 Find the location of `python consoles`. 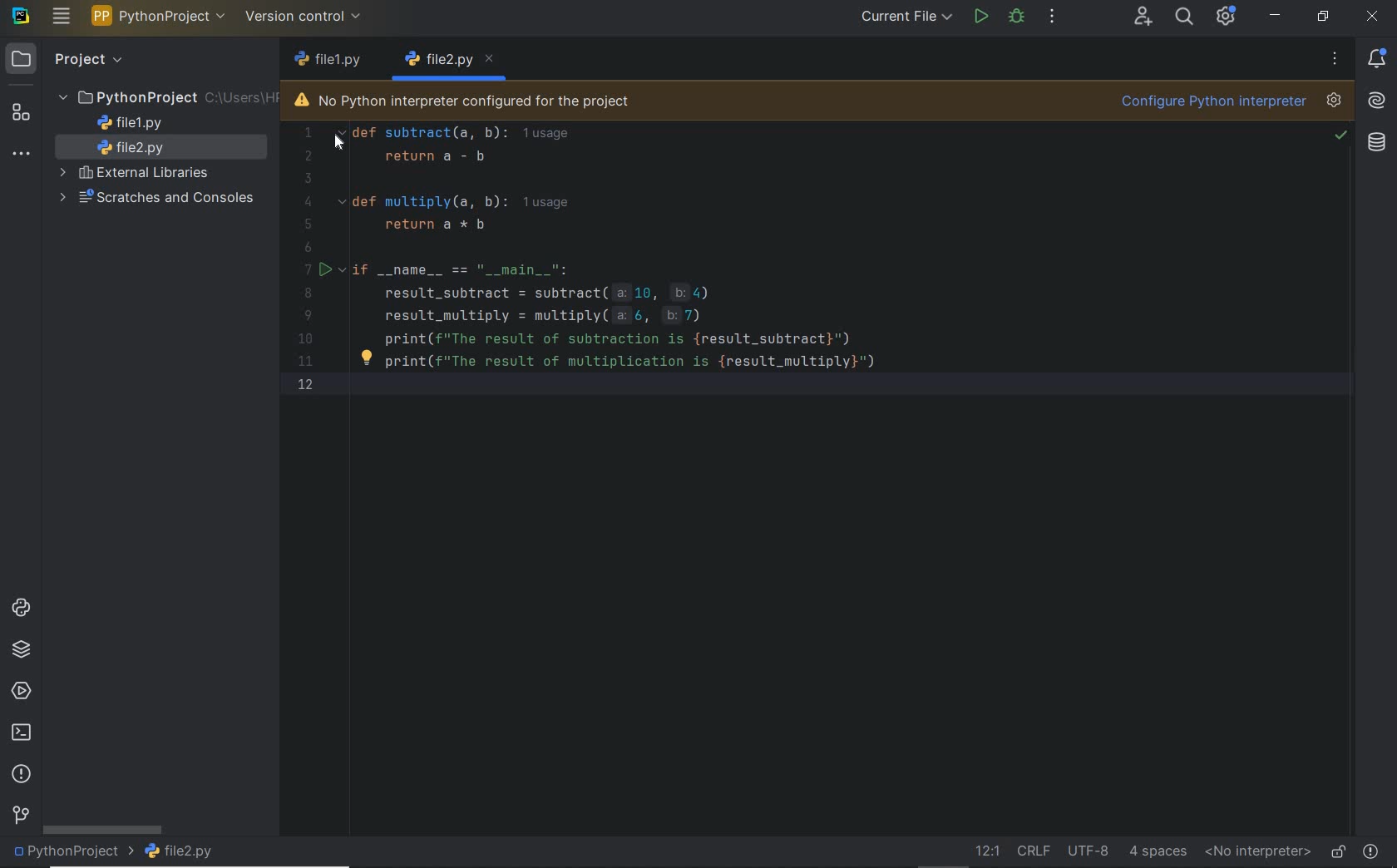

python consoles is located at coordinates (20, 609).